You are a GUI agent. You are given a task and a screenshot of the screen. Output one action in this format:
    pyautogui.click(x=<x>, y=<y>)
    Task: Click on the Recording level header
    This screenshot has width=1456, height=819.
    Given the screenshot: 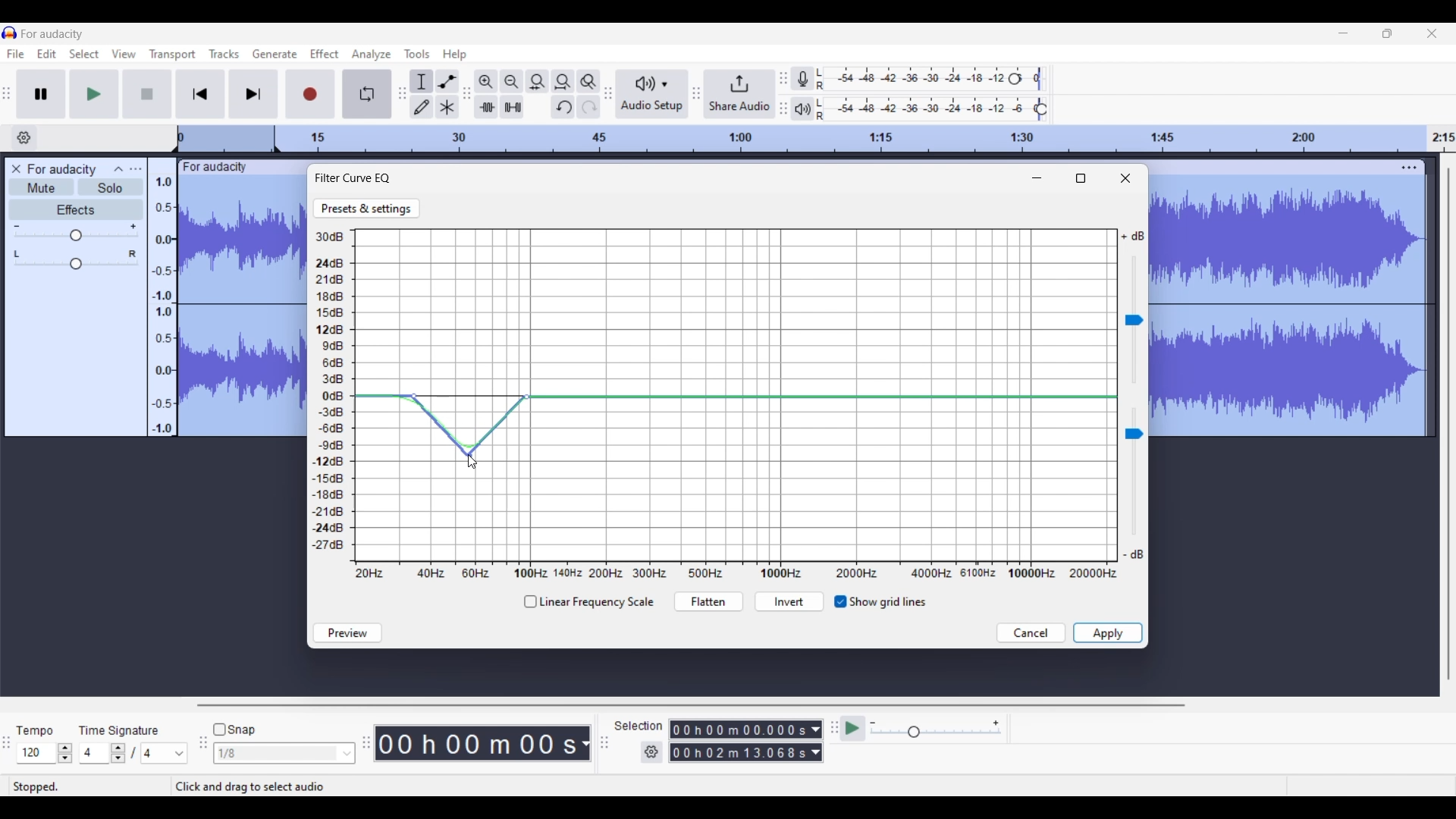 What is the action you would take?
    pyautogui.click(x=1015, y=79)
    